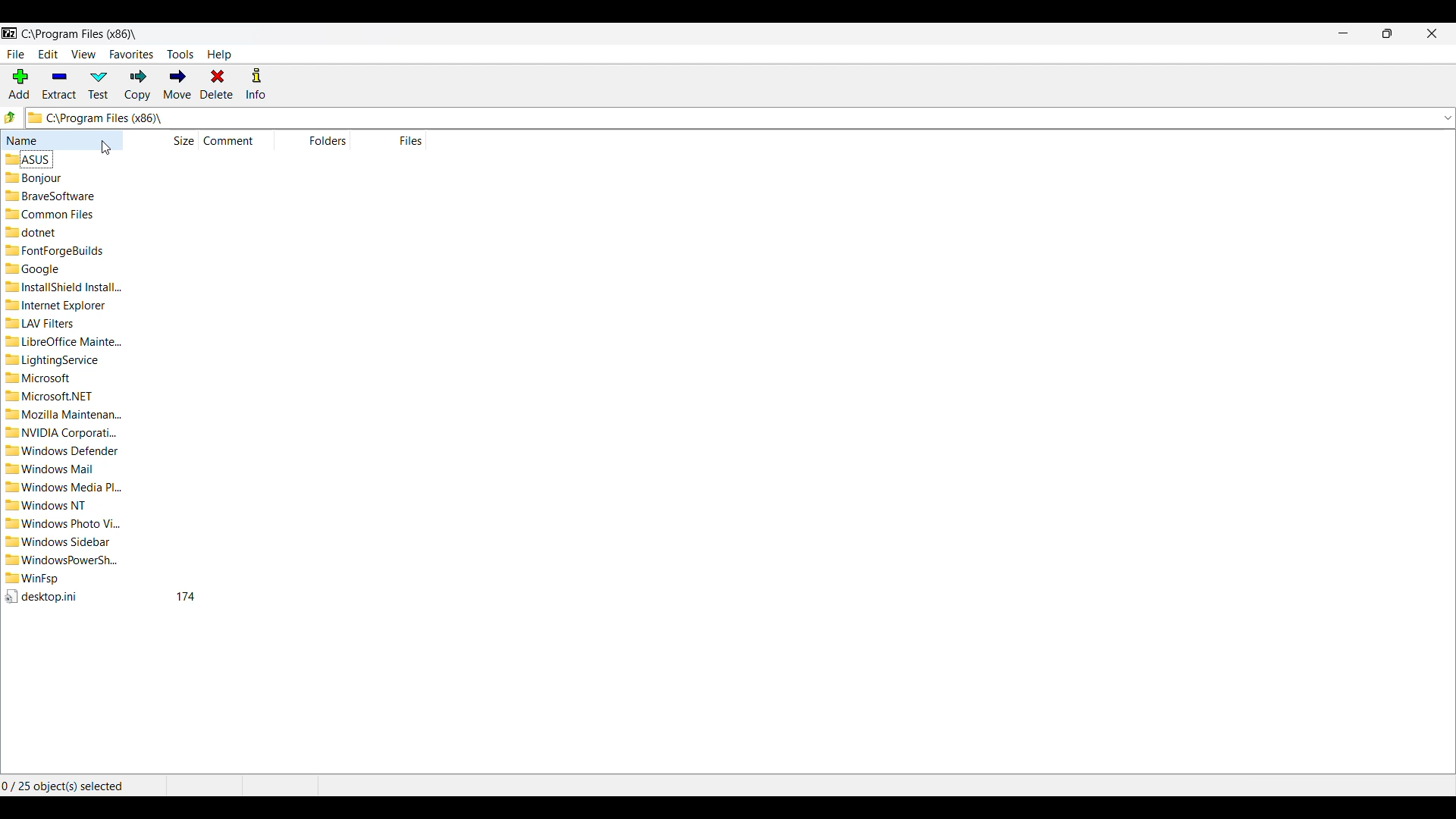  Describe the element at coordinates (33, 268) in the screenshot. I see `Google` at that location.